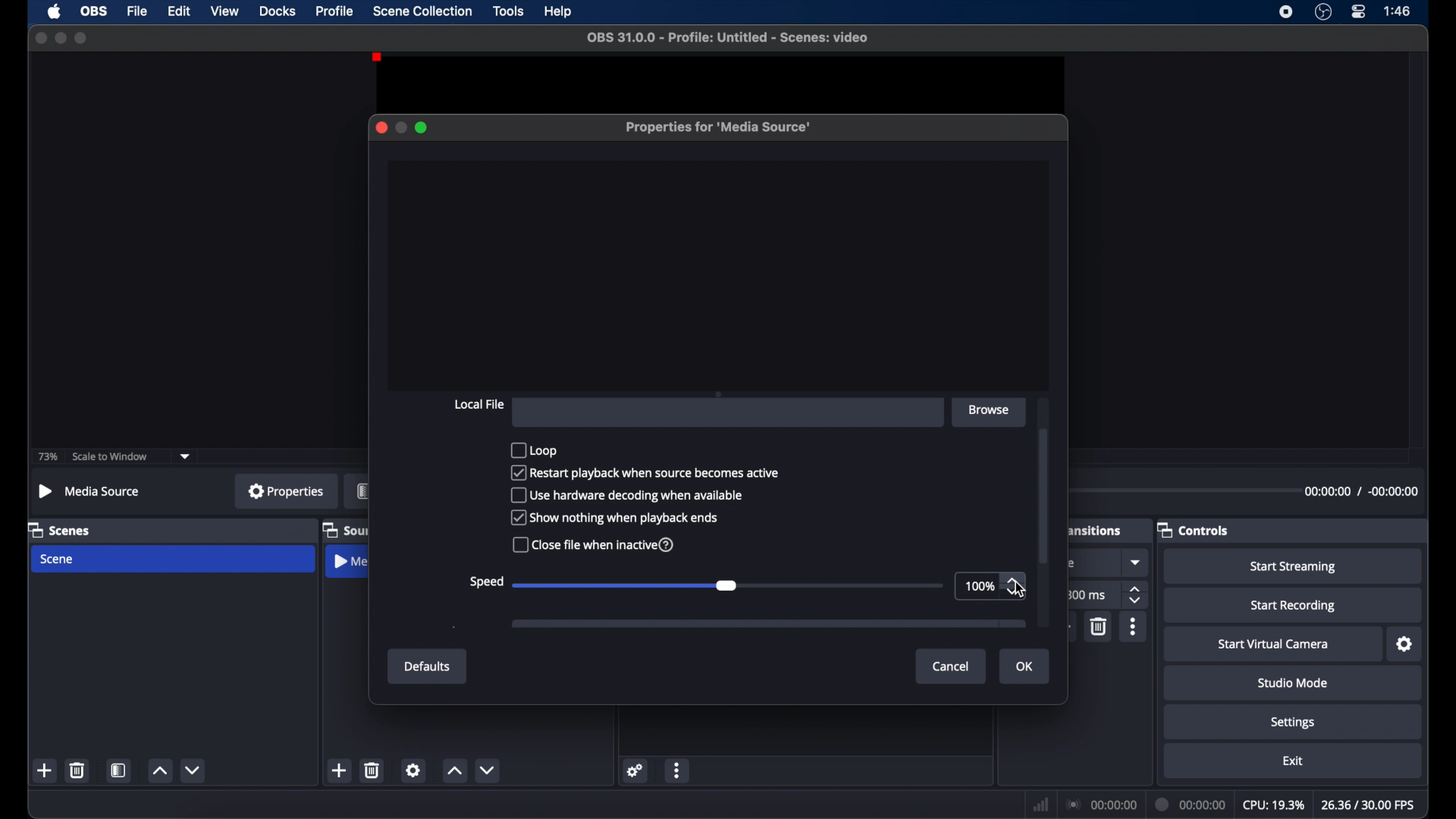 This screenshot has height=819, width=1456. I want to click on browse, so click(991, 411).